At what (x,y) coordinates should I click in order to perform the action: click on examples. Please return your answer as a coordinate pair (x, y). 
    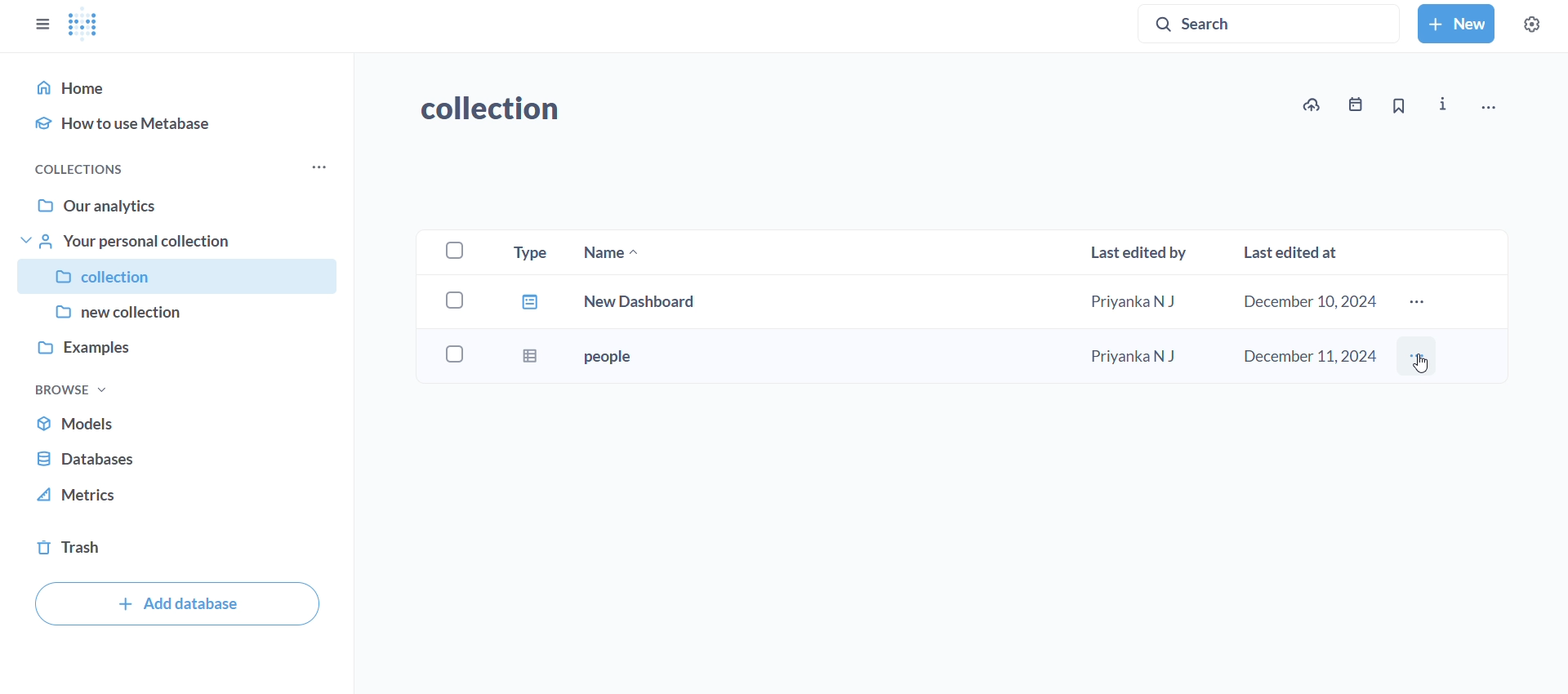
    Looking at the image, I should click on (176, 352).